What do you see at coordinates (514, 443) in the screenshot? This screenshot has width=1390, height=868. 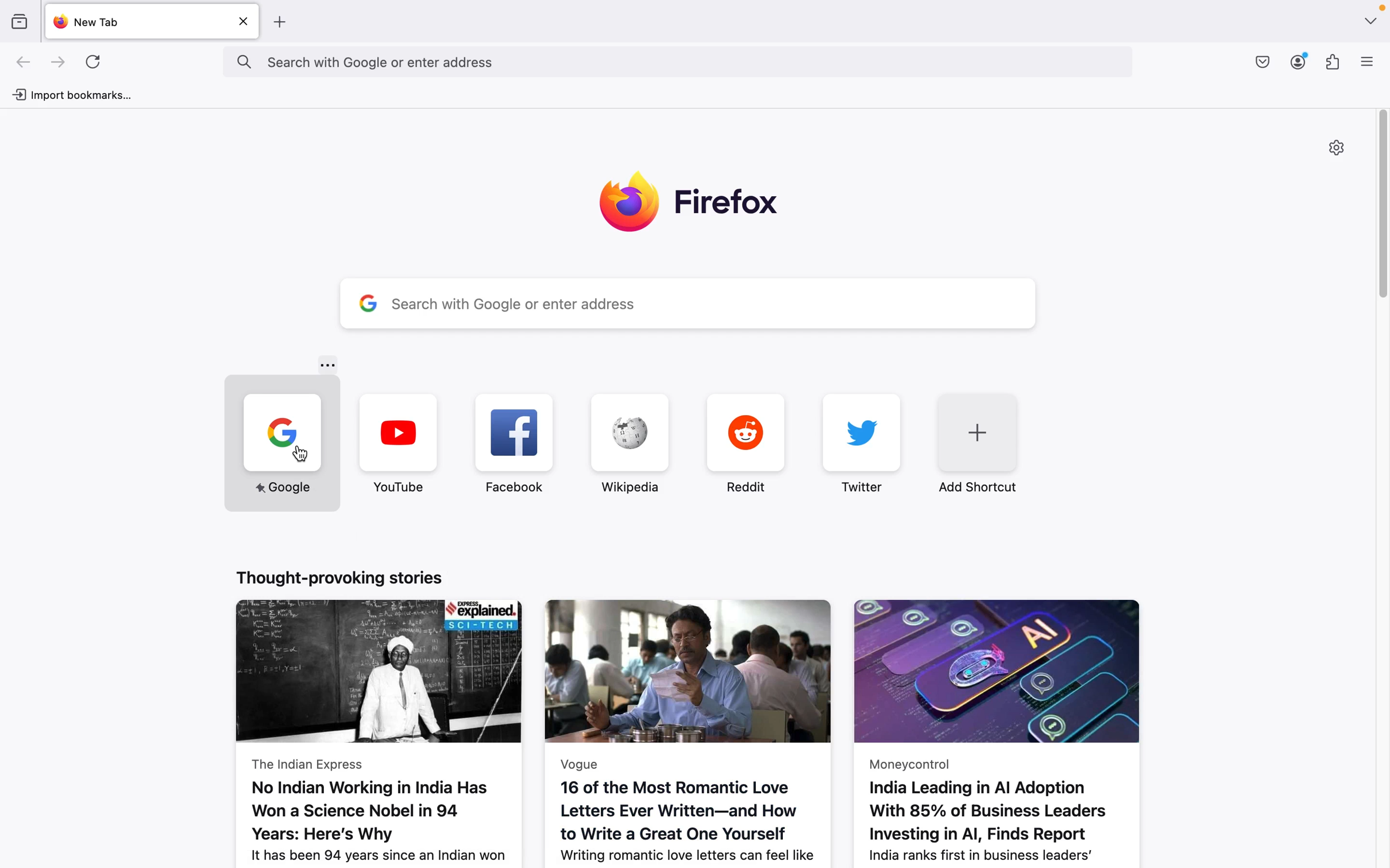 I see `facebook` at bounding box center [514, 443].